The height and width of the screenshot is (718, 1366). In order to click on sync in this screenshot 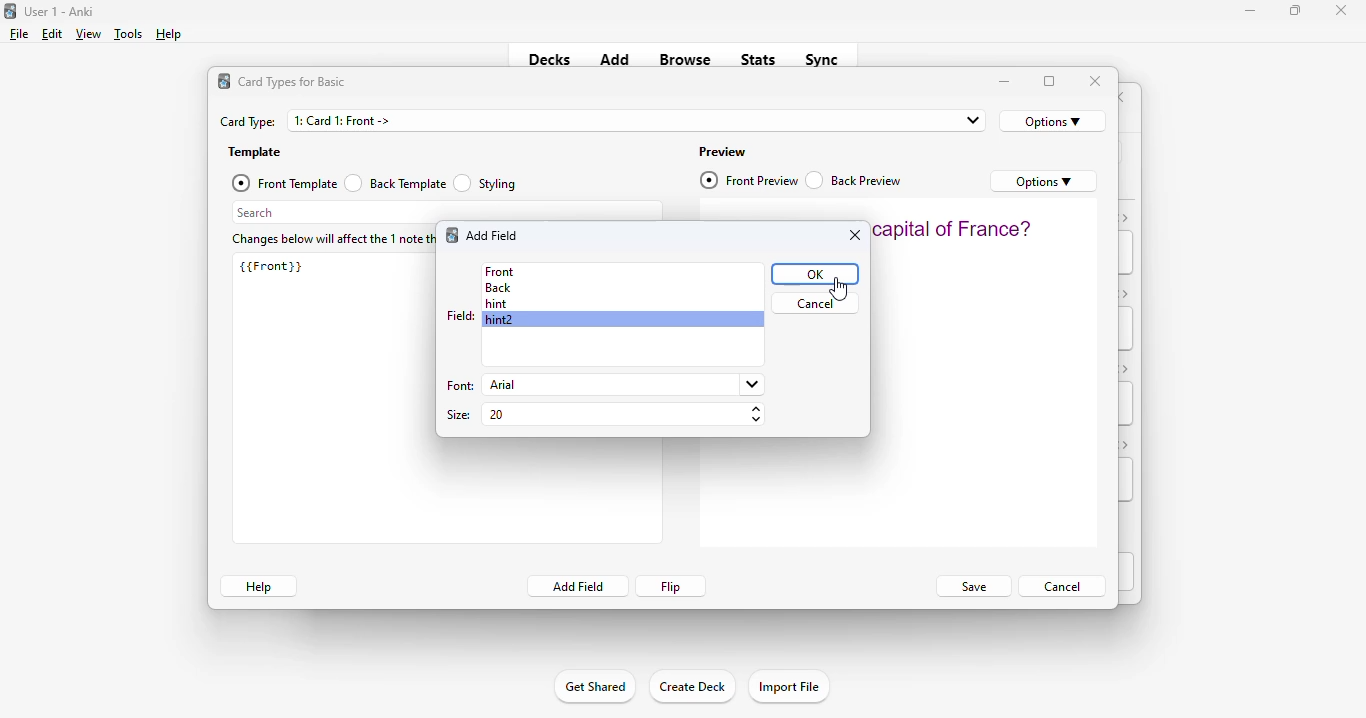, I will do `click(820, 58)`.